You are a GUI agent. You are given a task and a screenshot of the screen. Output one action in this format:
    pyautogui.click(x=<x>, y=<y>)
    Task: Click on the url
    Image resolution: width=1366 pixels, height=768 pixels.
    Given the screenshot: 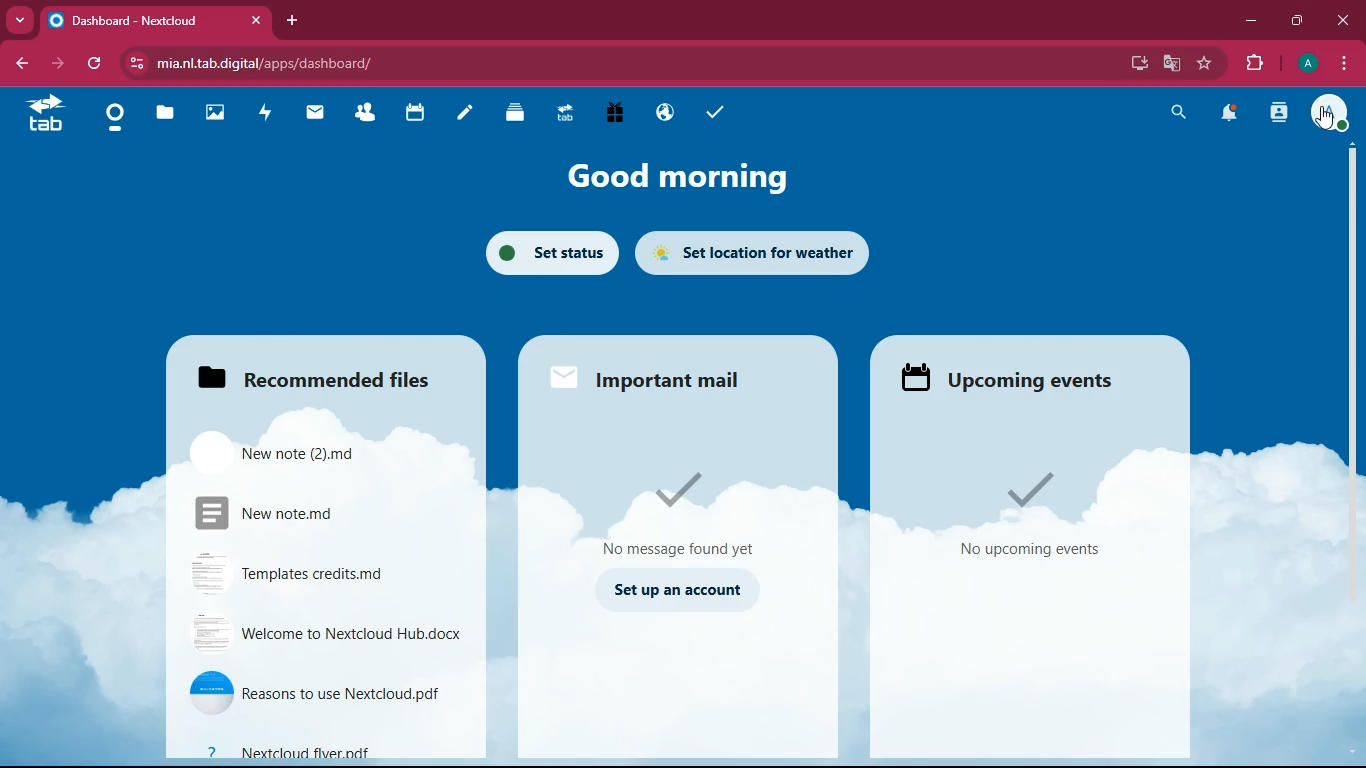 What is the action you would take?
    pyautogui.click(x=298, y=62)
    